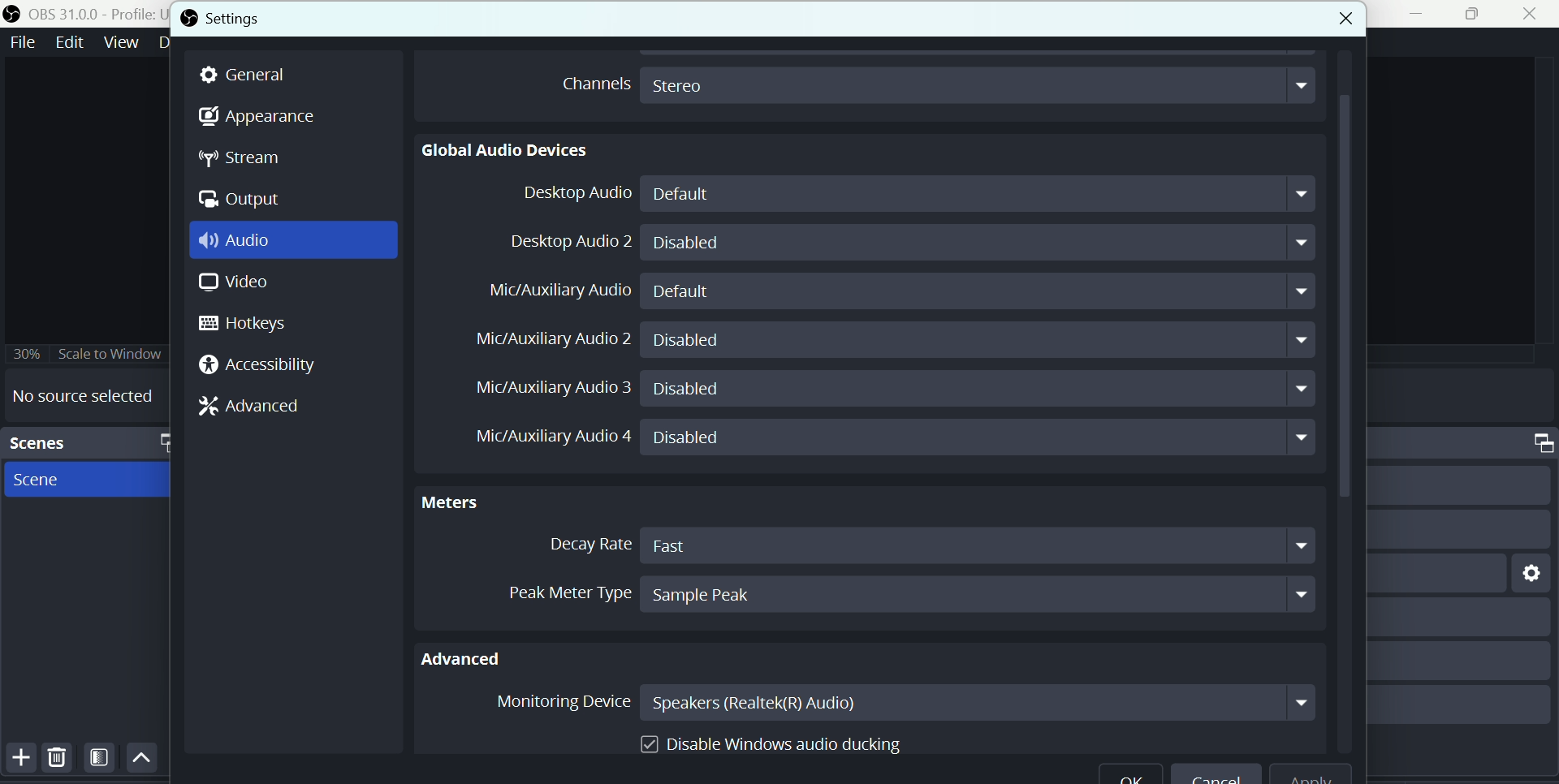  I want to click on Scale to window, so click(113, 353).